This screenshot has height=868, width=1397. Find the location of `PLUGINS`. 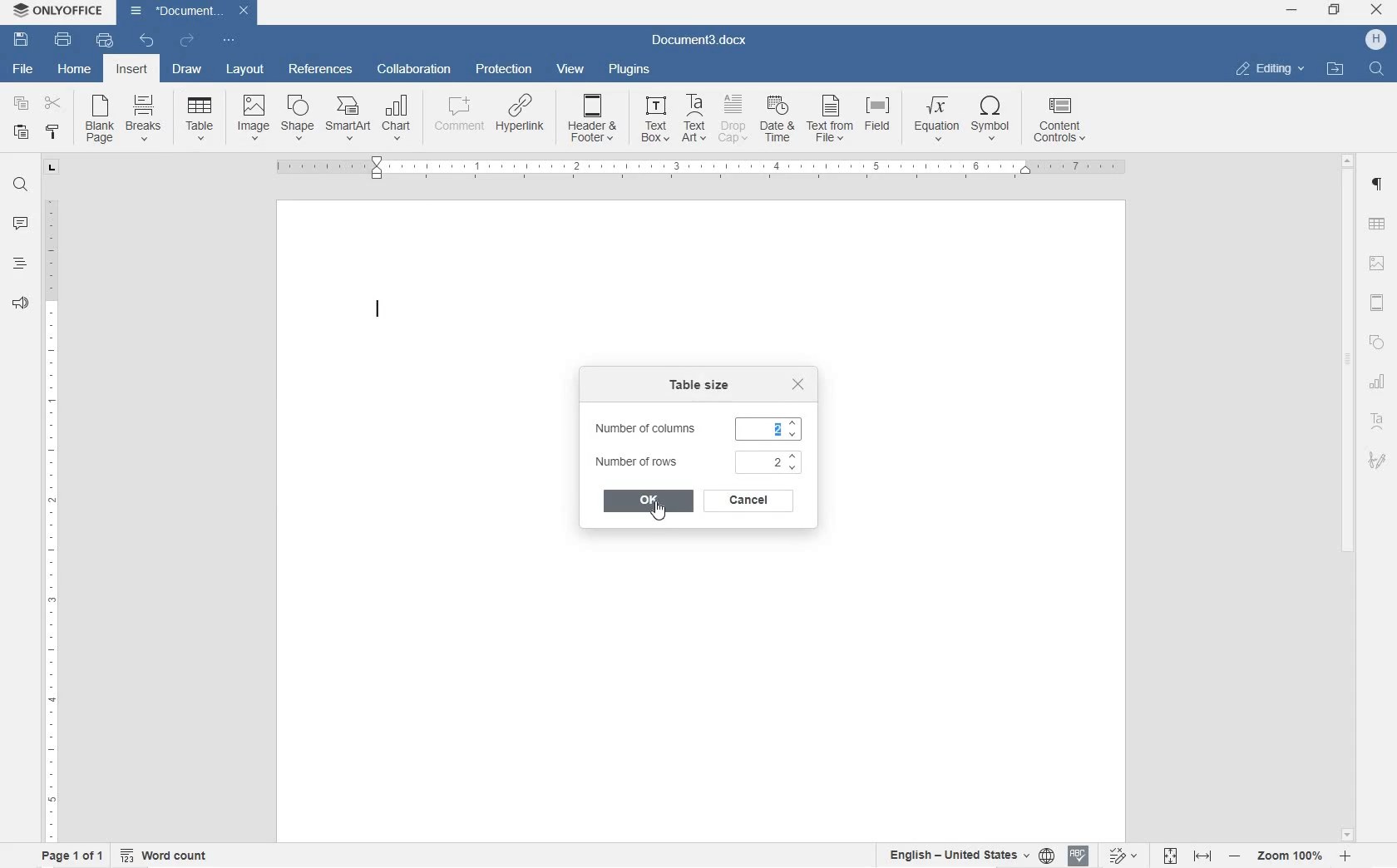

PLUGINS is located at coordinates (627, 69).